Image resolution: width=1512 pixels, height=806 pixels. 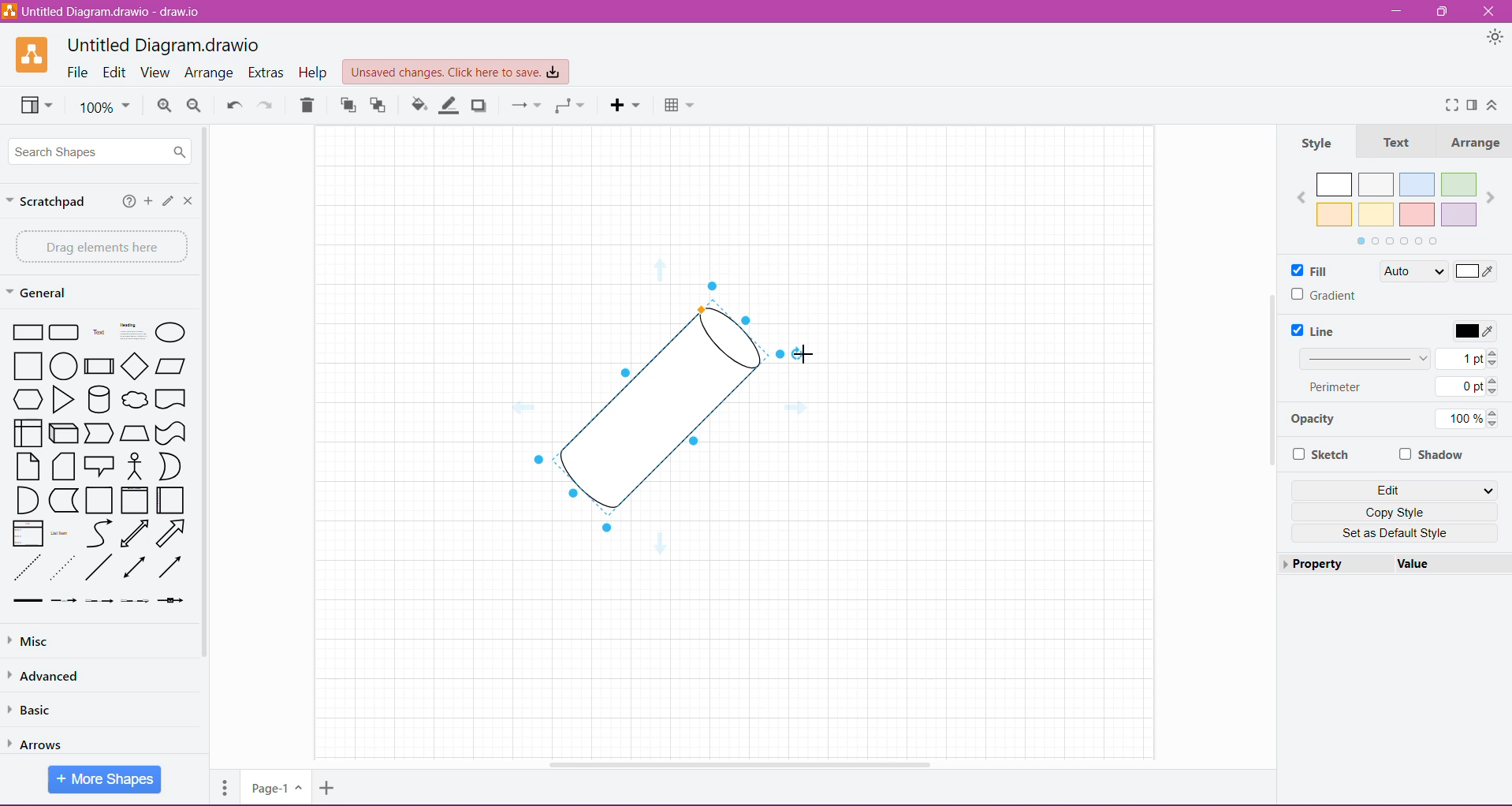 What do you see at coordinates (188, 200) in the screenshot?
I see `Close` at bounding box center [188, 200].